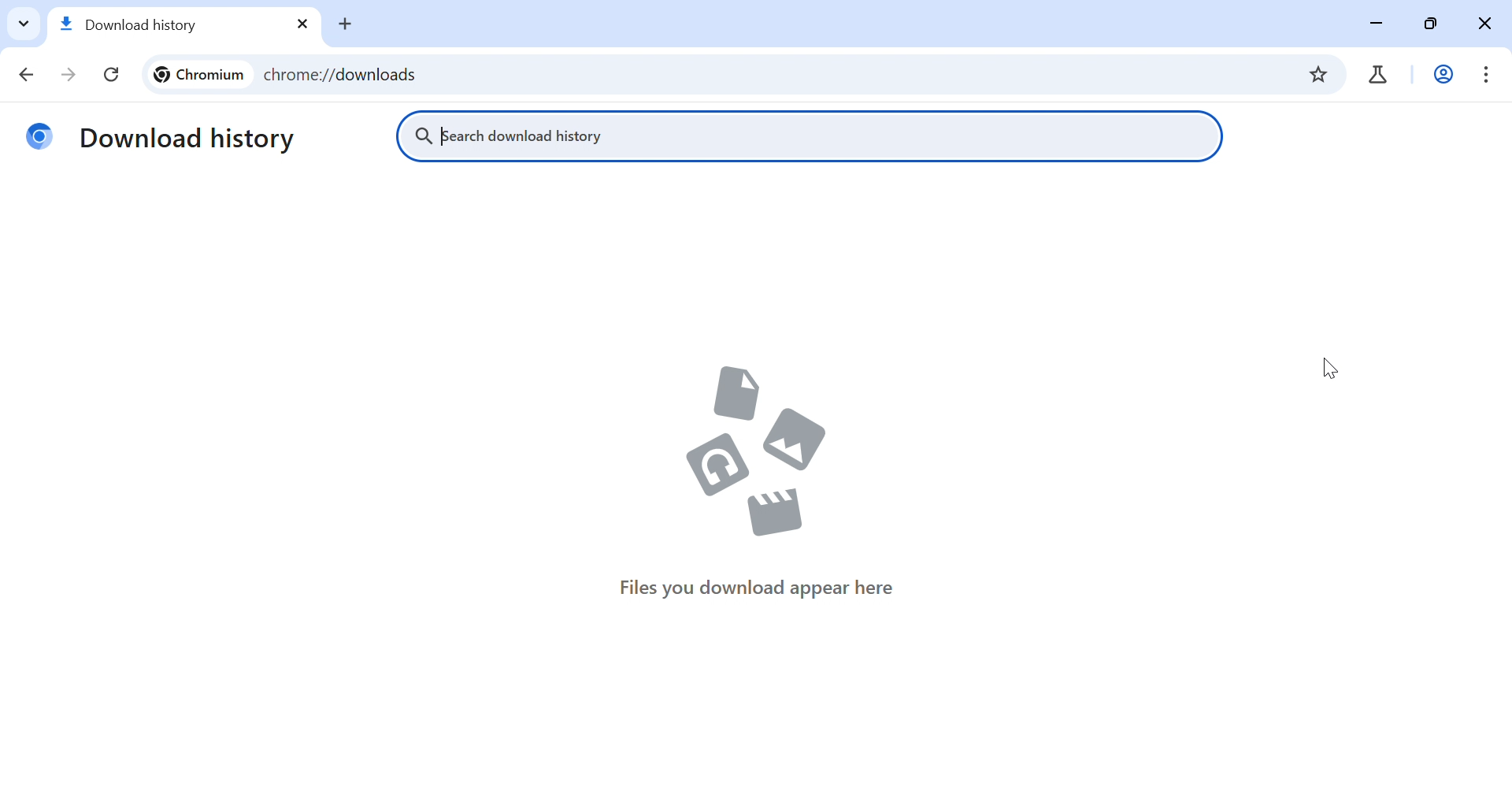  I want to click on Work, so click(1444, 76).